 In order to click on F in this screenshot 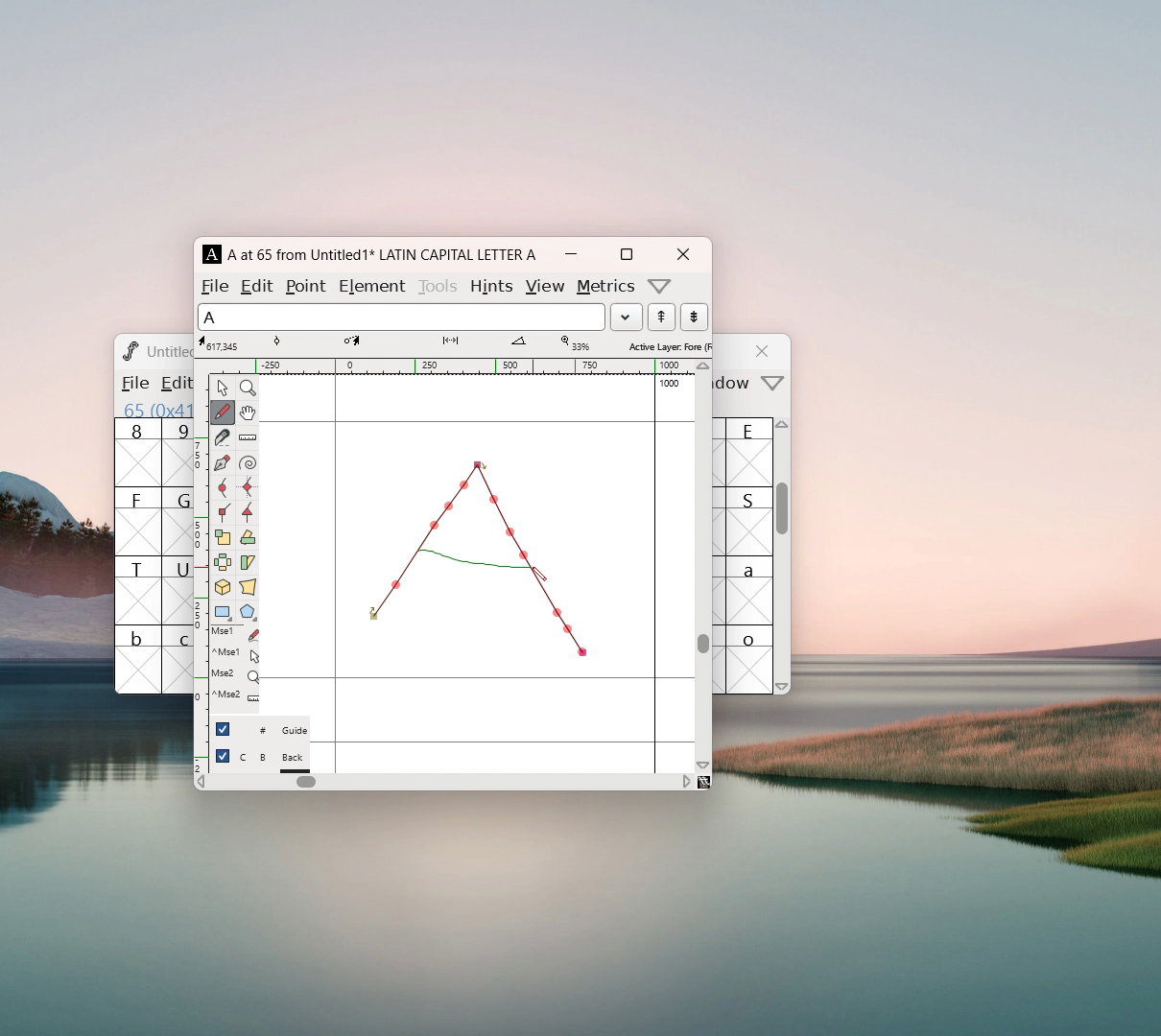, I will do `click(138, 521)`.